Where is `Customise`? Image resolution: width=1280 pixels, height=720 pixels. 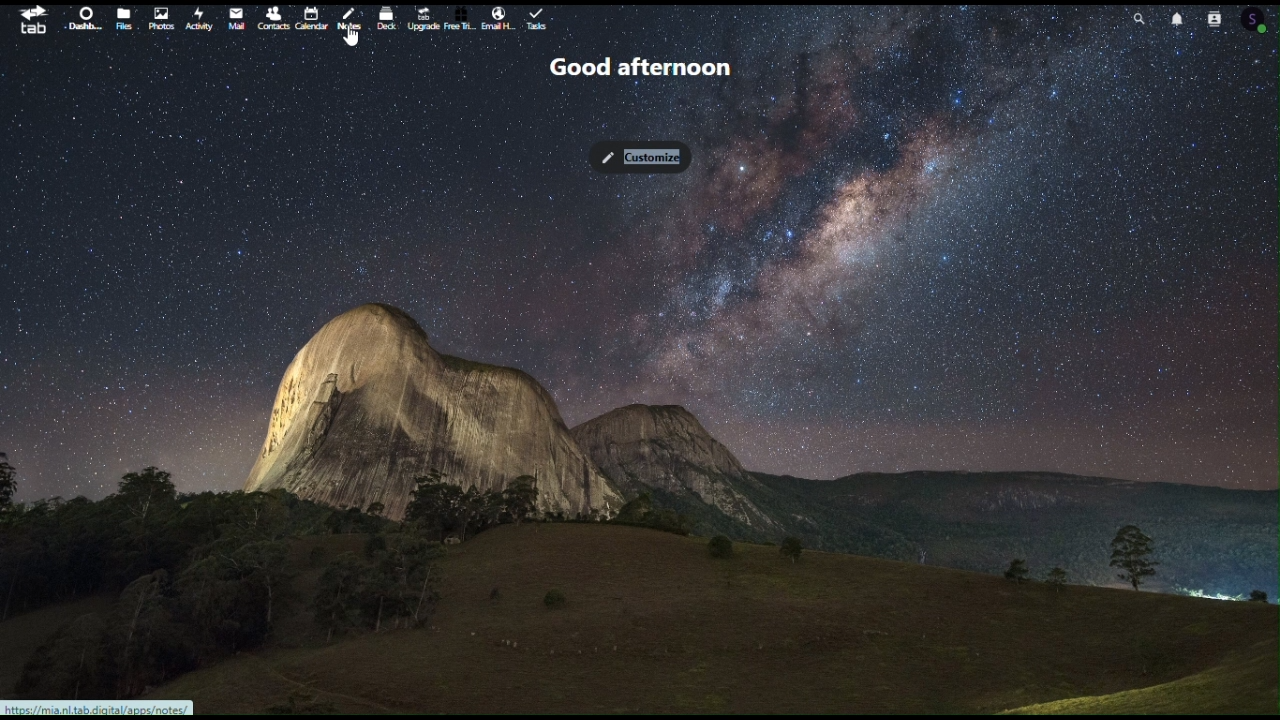 Customise is located at coordinates (642, 151).